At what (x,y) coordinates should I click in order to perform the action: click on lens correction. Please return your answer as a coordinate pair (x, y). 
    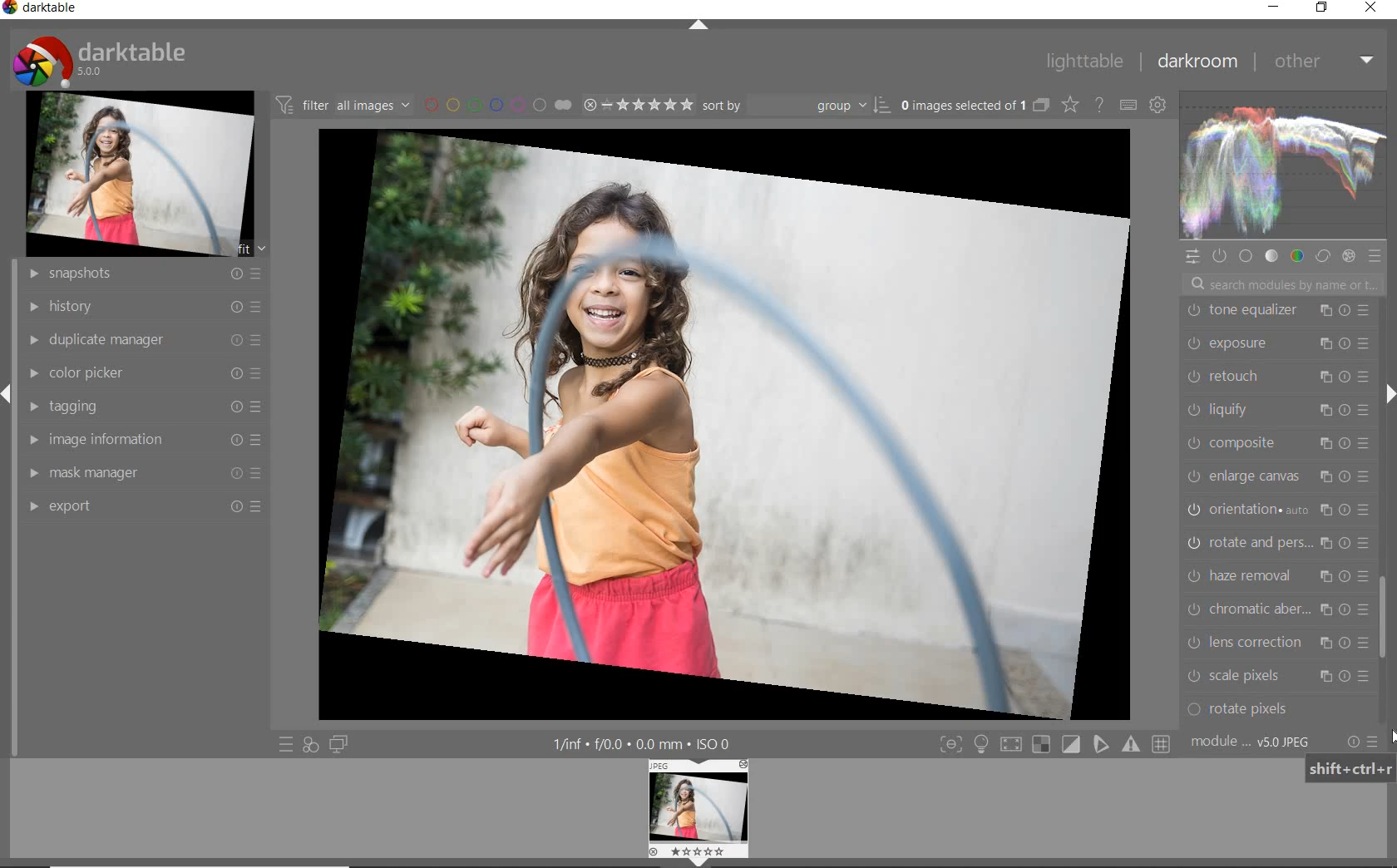
    Looking at the image, I should click on (1273, 643).